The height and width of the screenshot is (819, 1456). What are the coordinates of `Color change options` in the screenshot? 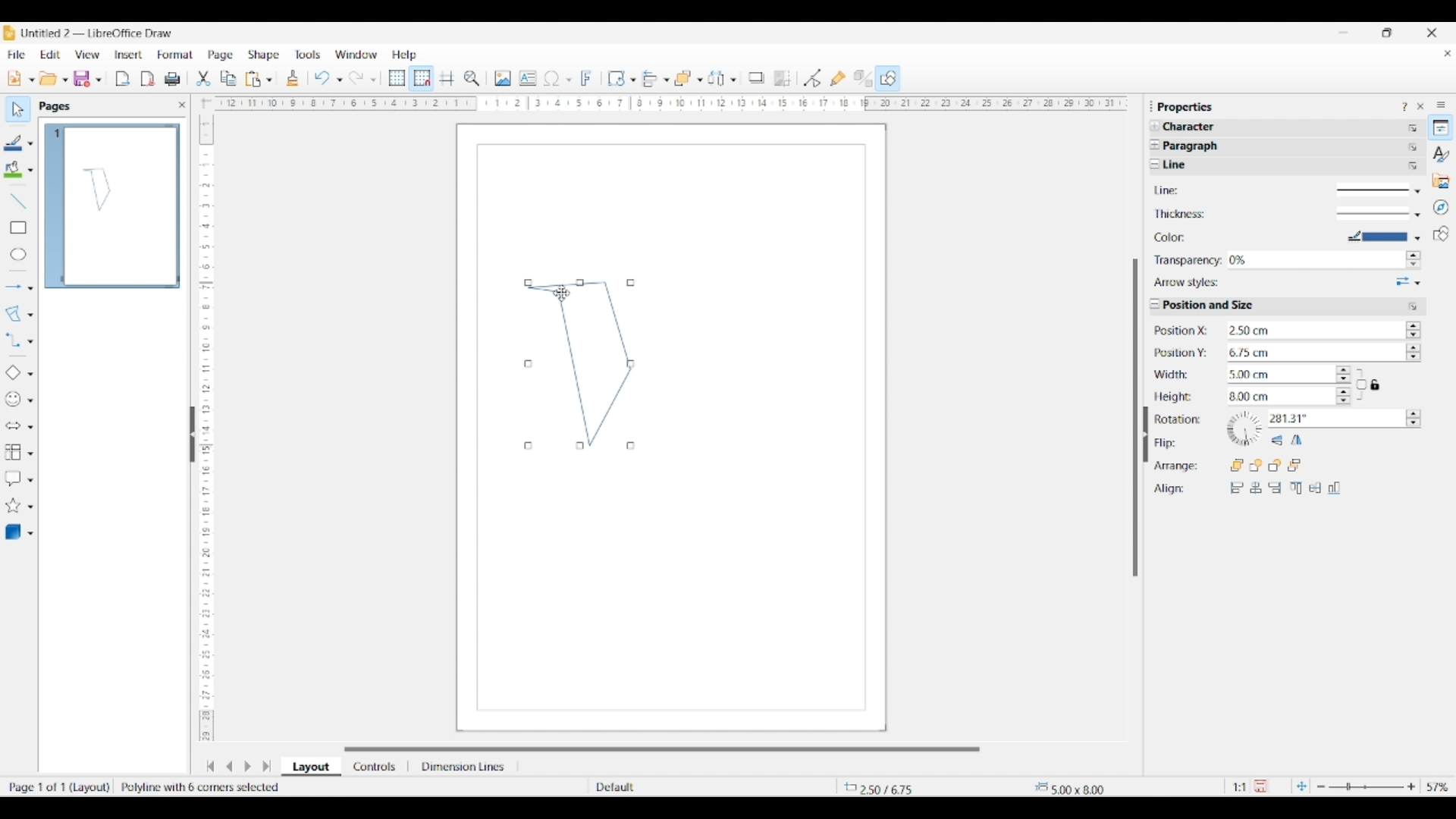 It's located at (1384, 236).